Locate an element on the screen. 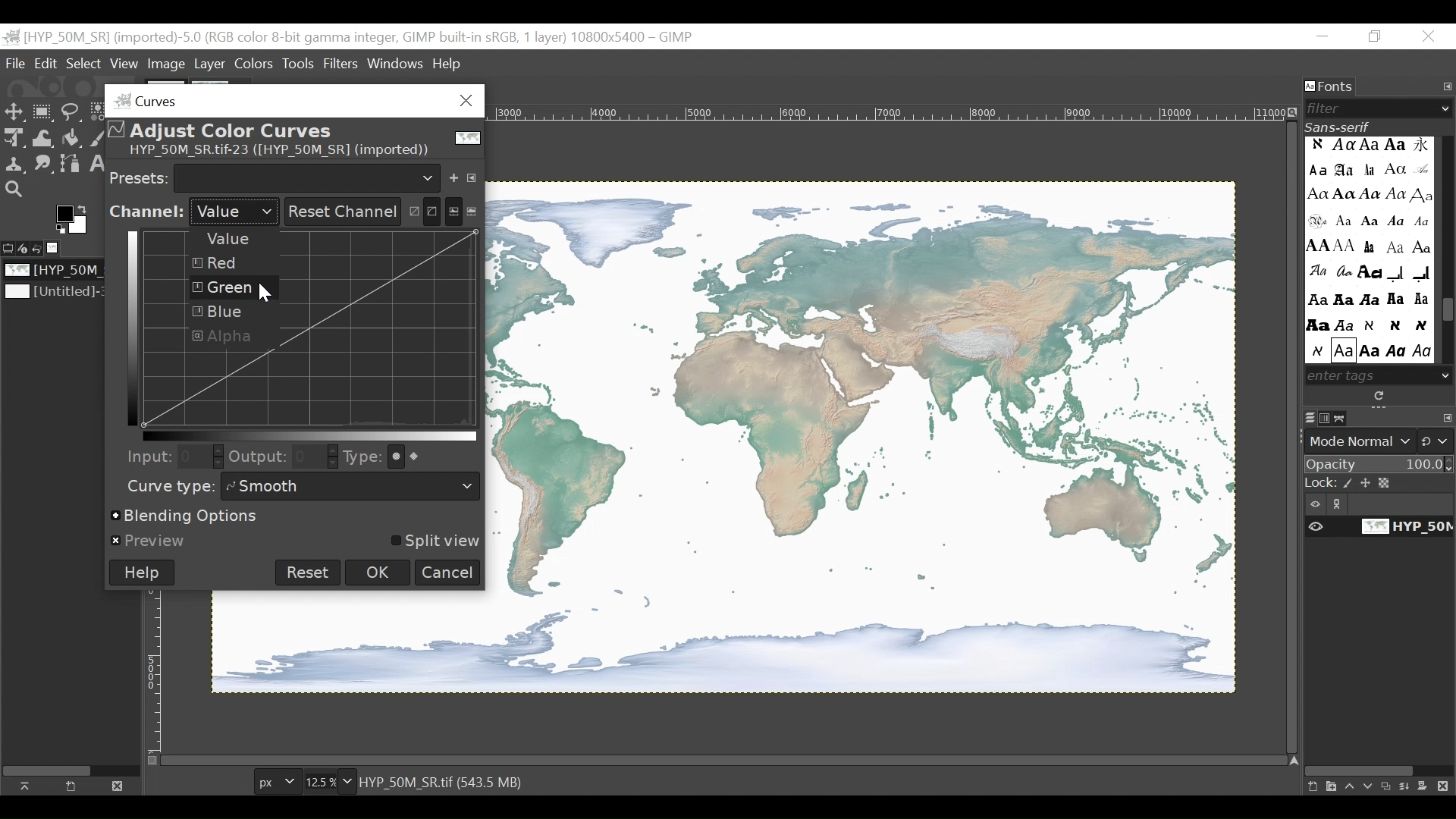  Close is located at coordinates (115, 785).